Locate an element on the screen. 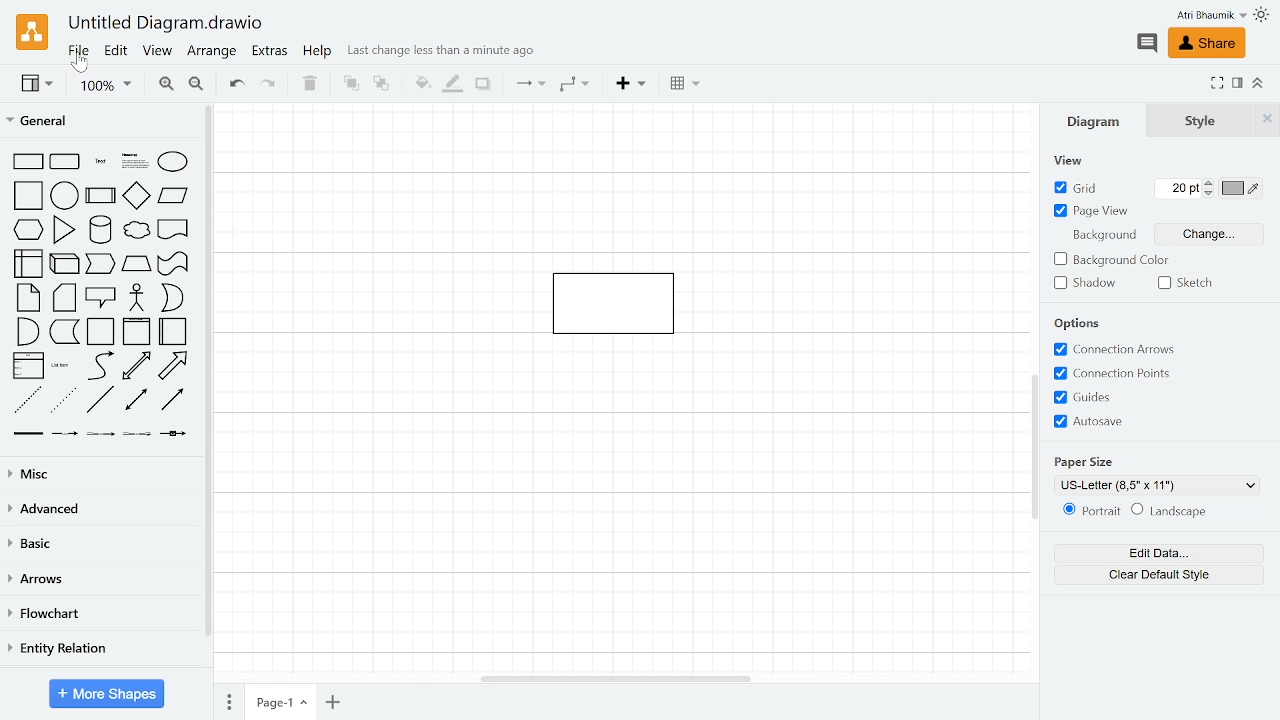 The height and width of the screenshot is (720, 1280). Page view is located at coordinates (1091, 211).